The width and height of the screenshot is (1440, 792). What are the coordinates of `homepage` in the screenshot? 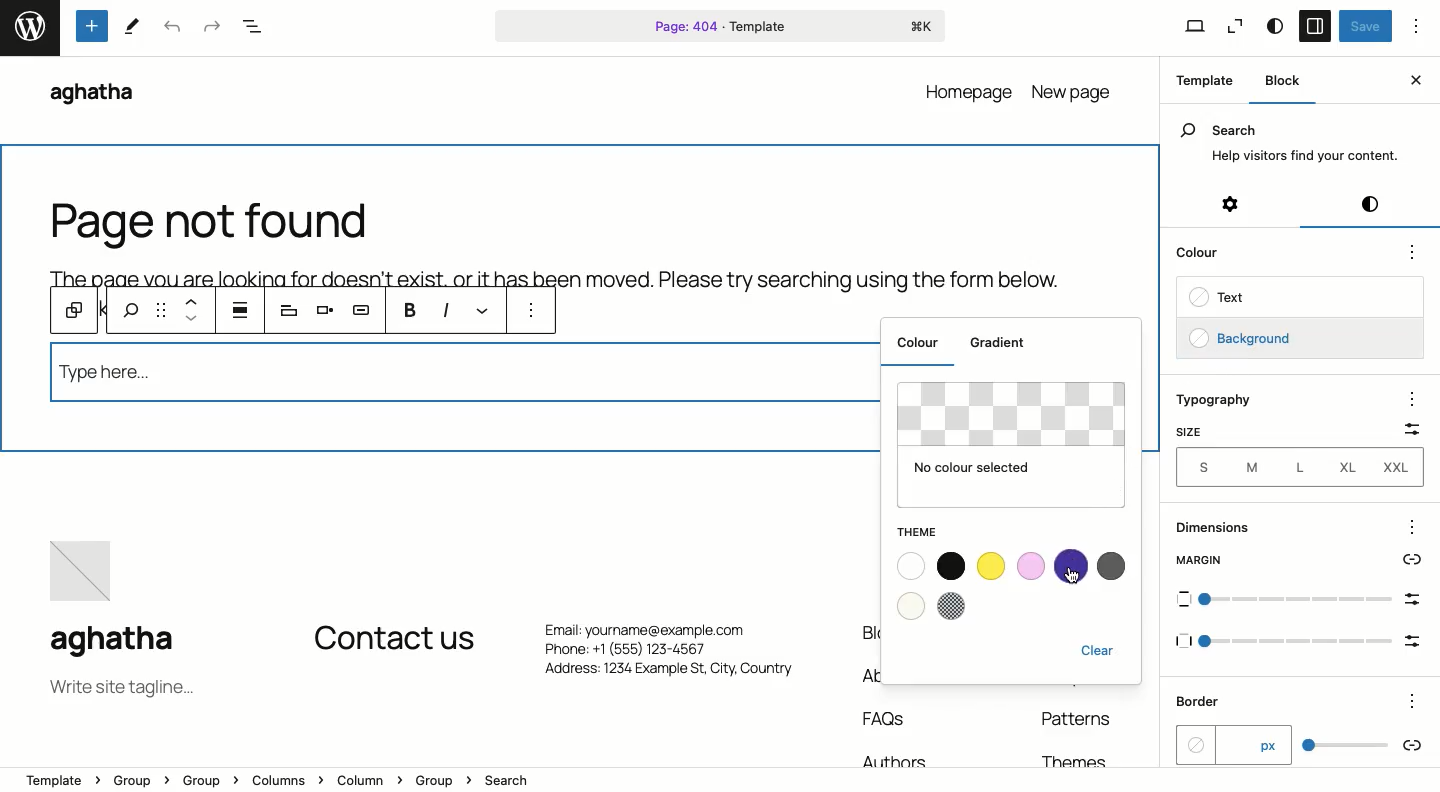 It's located at (970, 90).